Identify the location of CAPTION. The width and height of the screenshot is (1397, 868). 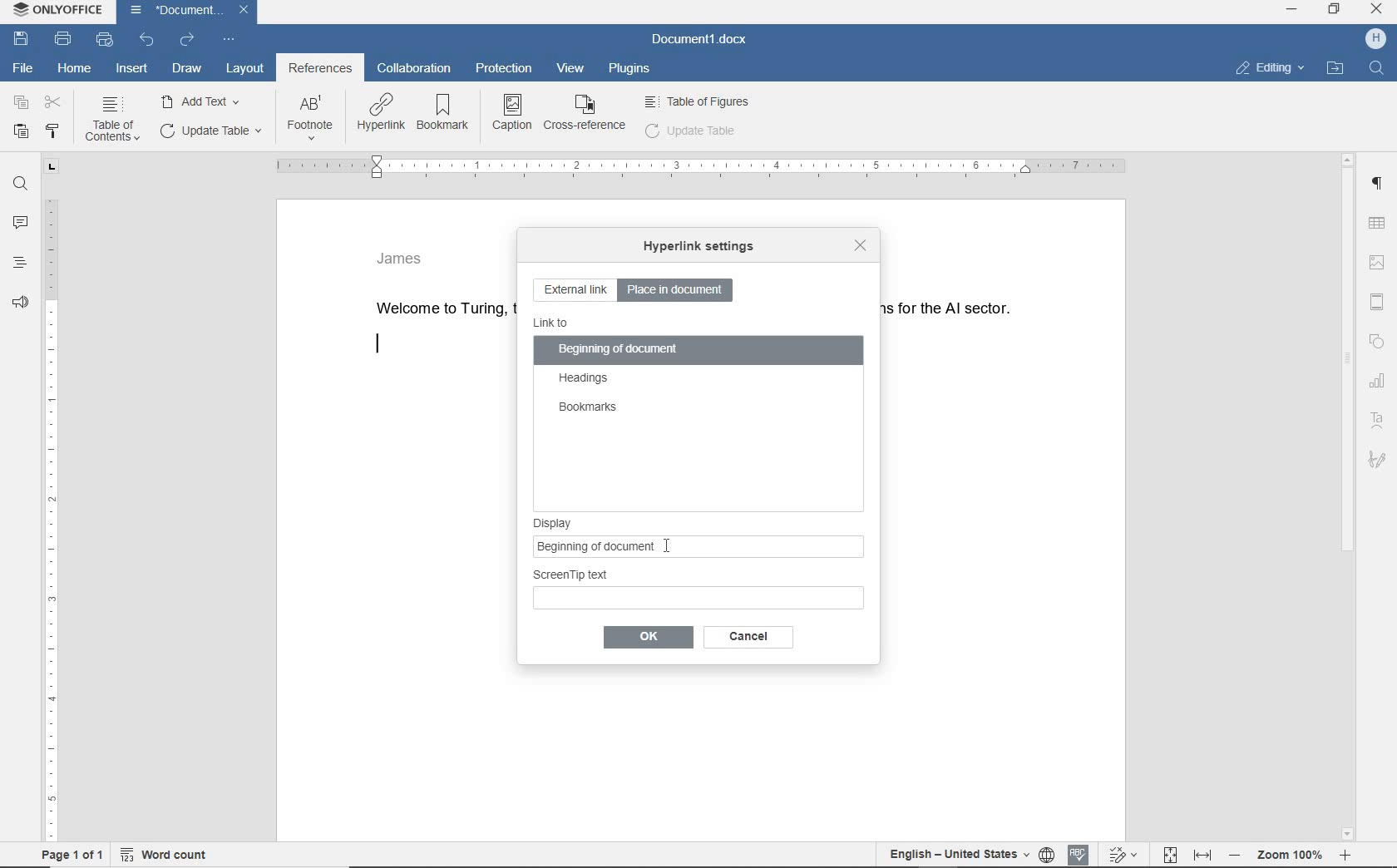
(513, 112).